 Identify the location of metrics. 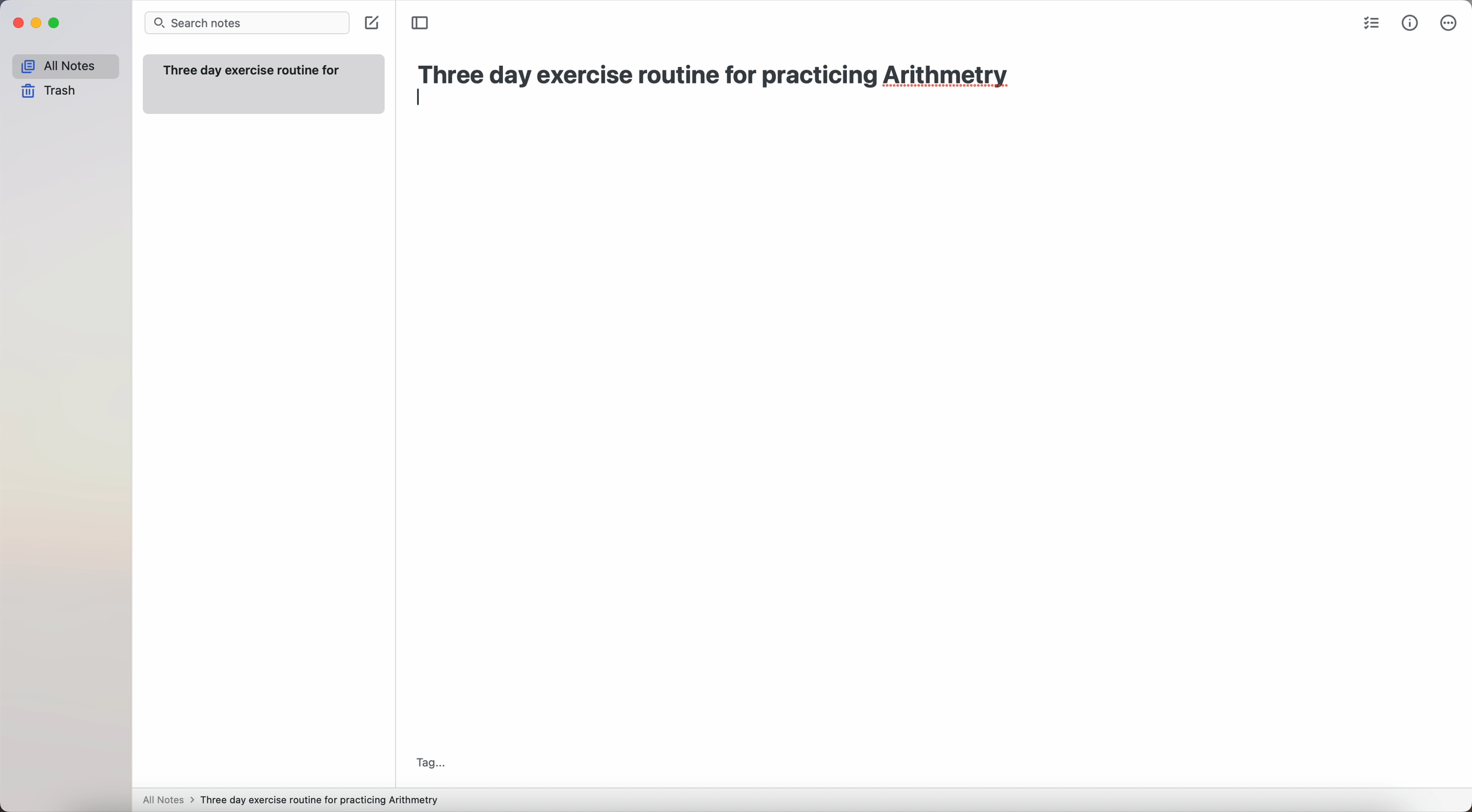
(1410, 25).